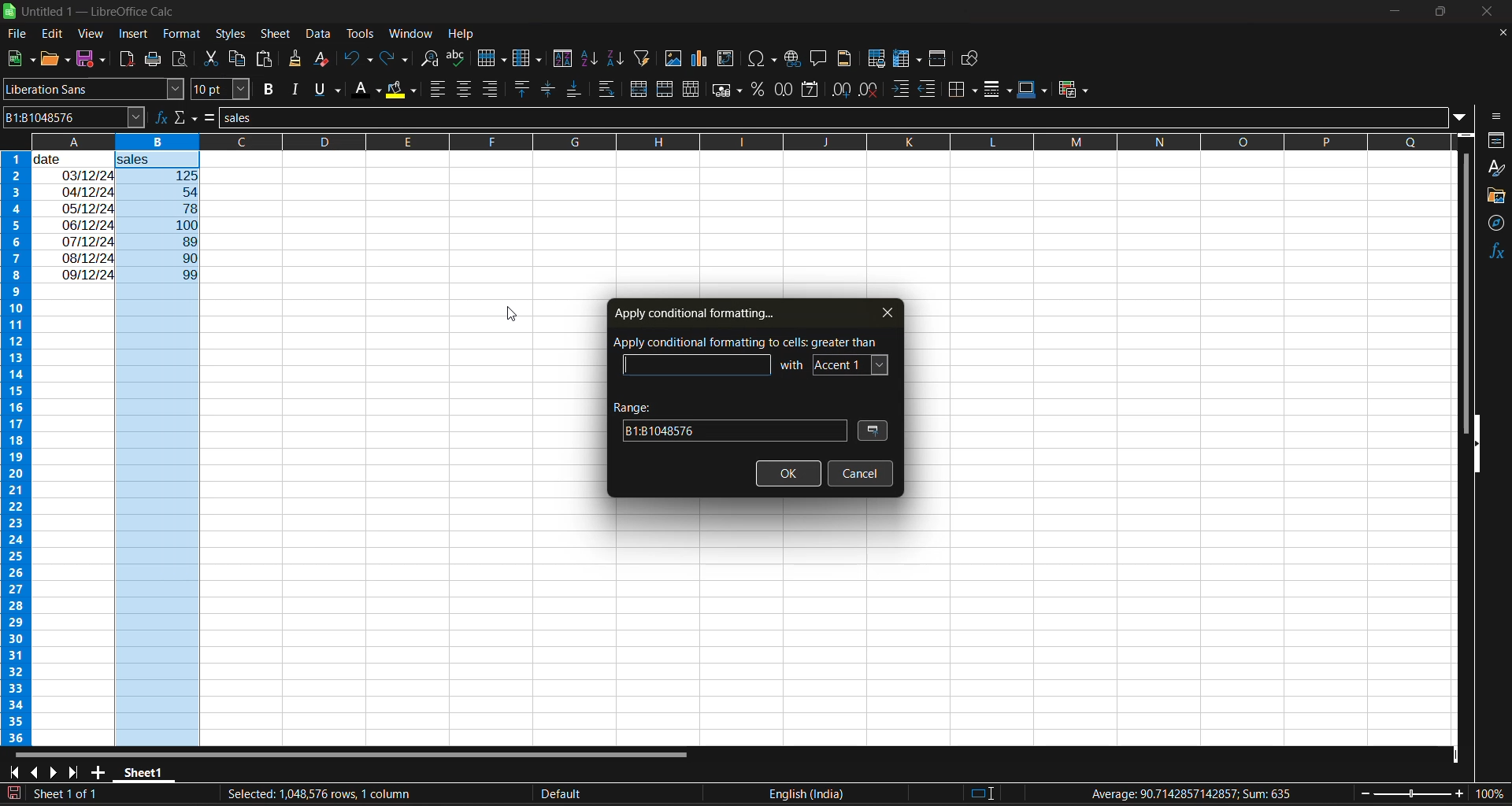 This screenshot has height=806, width=1512. I want to click on data, so click(317, 35).